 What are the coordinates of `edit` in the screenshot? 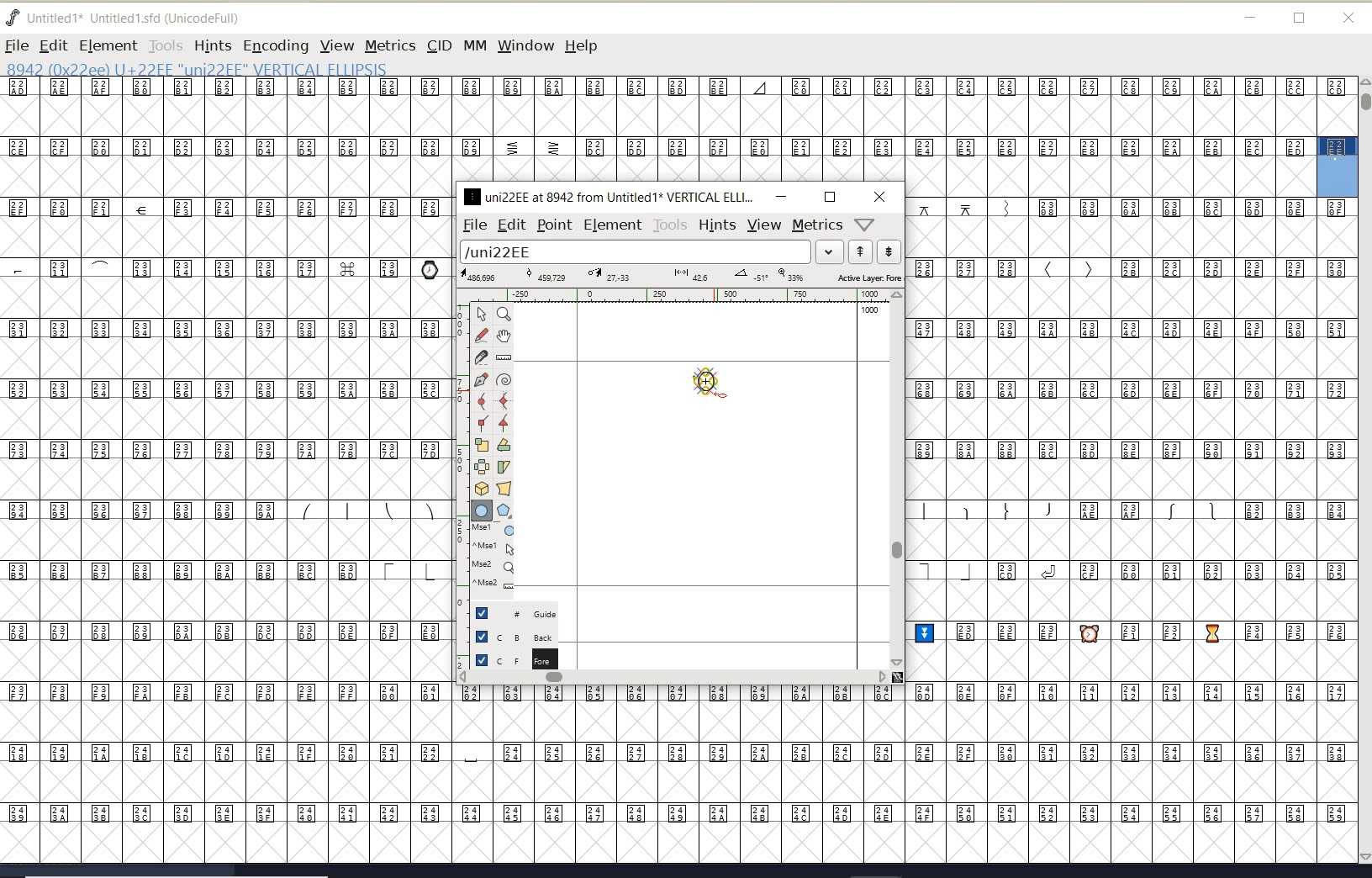 It's located at (510, 224).